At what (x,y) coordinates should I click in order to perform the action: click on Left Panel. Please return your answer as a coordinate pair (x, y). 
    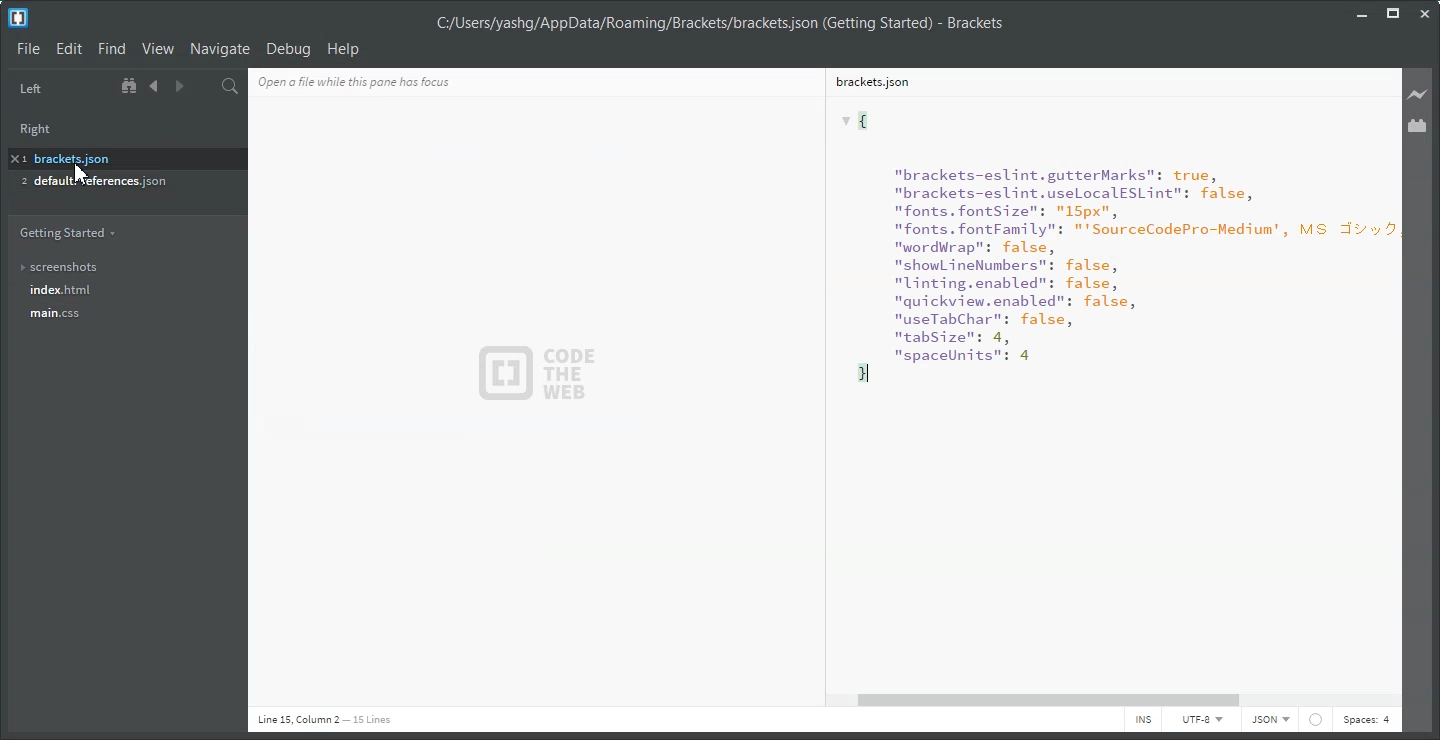
    Looking at the image, I should click on (30, 89).